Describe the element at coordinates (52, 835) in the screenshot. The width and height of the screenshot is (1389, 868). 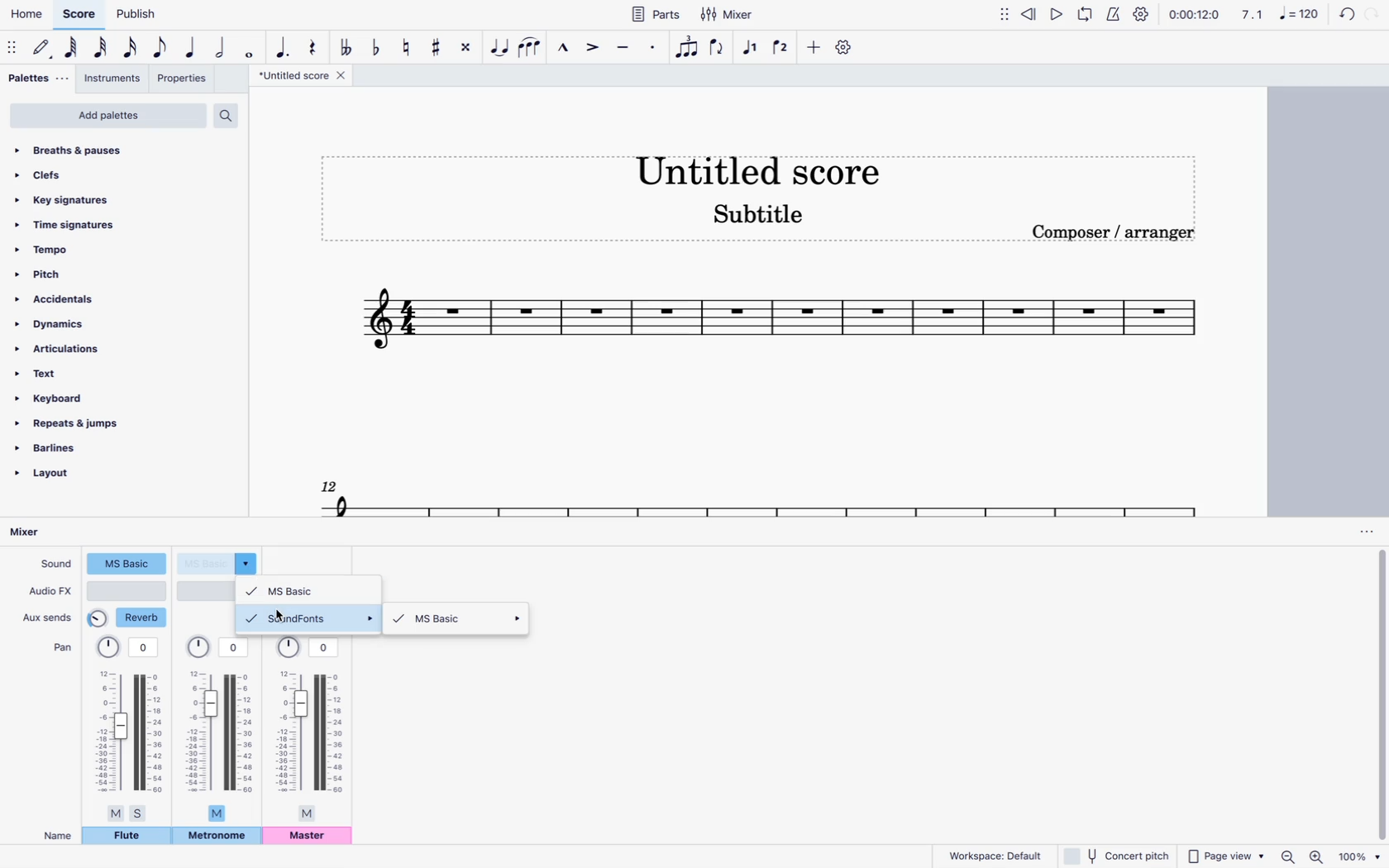
I see `name` at that location.